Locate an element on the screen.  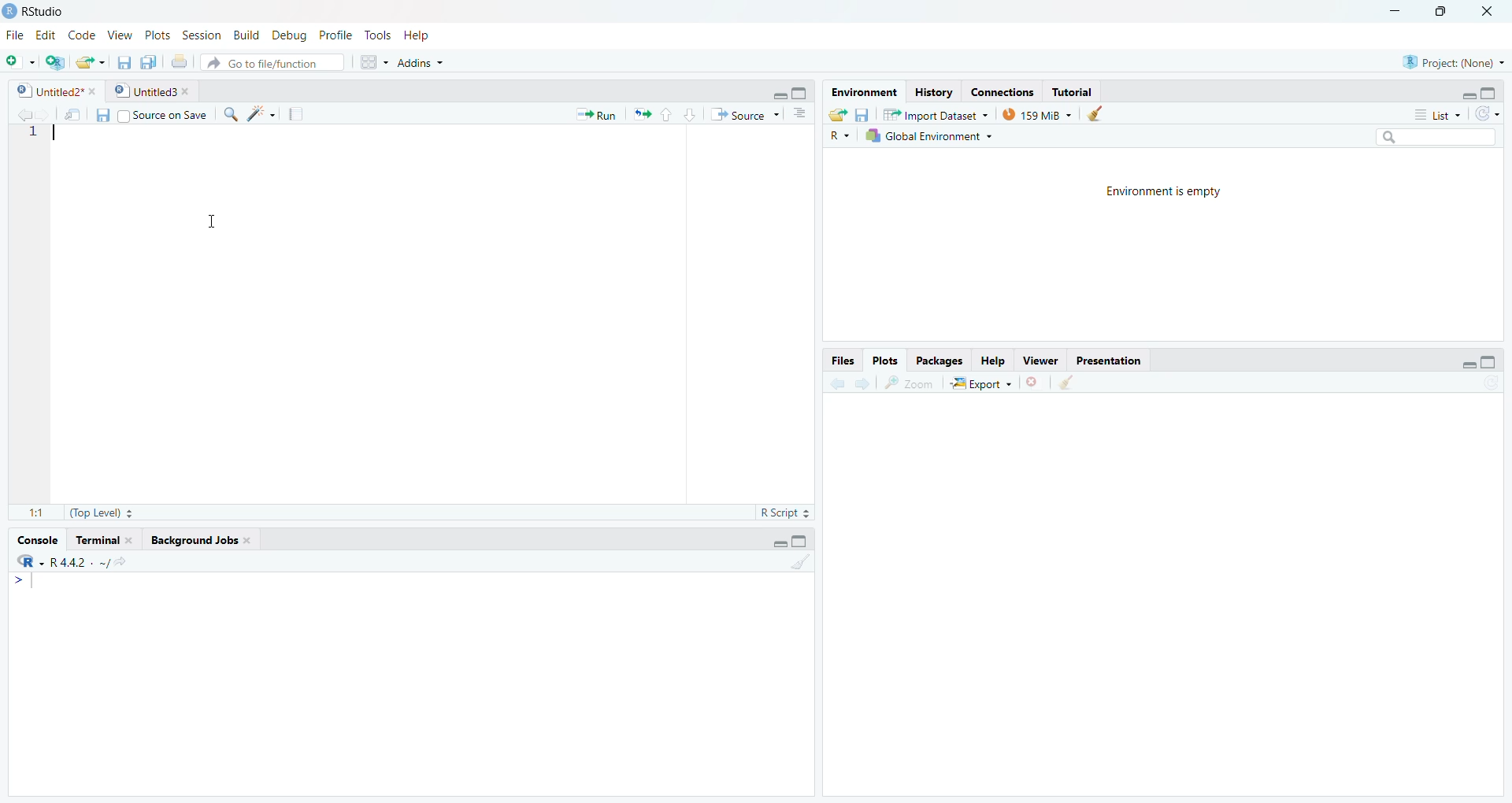
Save is located at coordinates (863, 115).